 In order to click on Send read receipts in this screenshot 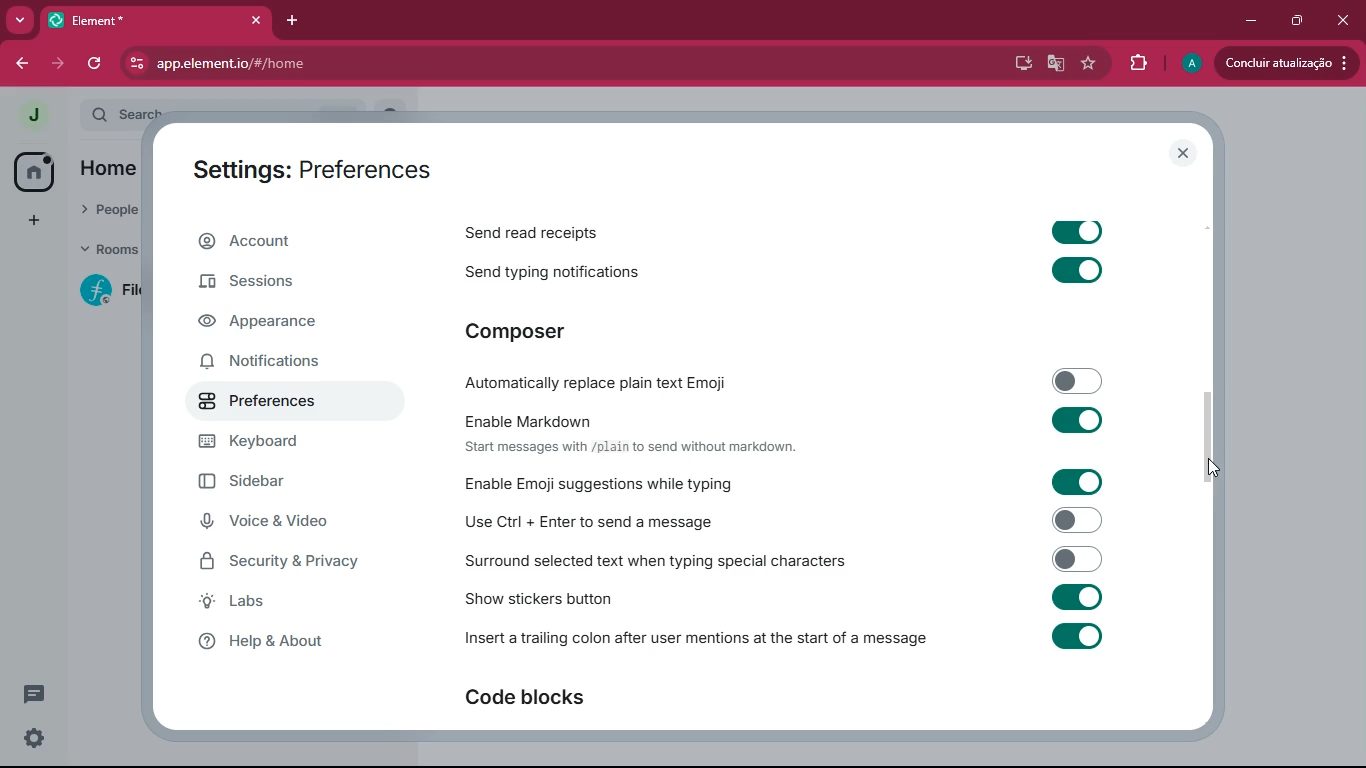, I will do `click(798, 228)`.